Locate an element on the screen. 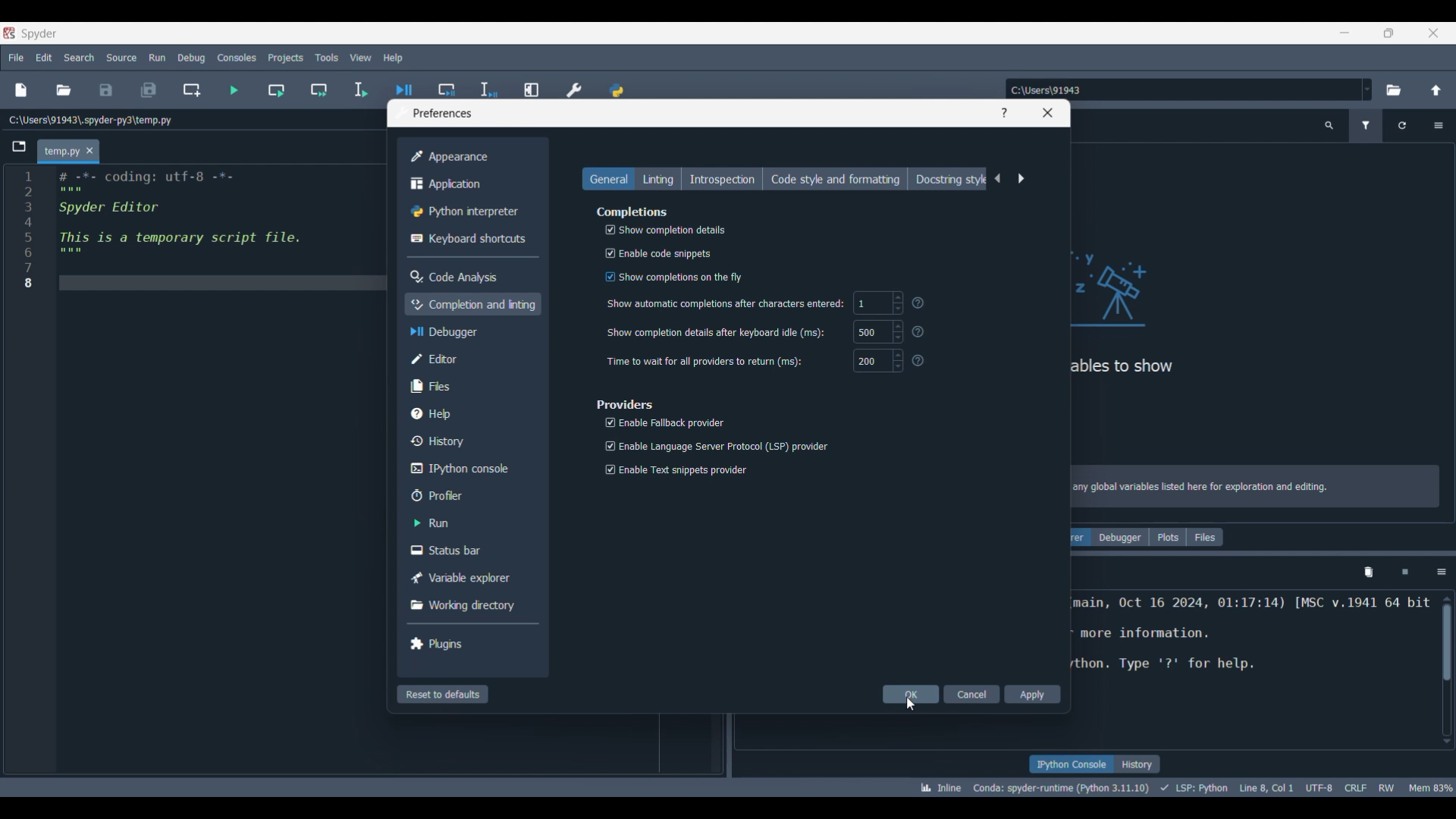 This screenshot has width=1456, height=819. 1 is located at coordinates (878, 303).